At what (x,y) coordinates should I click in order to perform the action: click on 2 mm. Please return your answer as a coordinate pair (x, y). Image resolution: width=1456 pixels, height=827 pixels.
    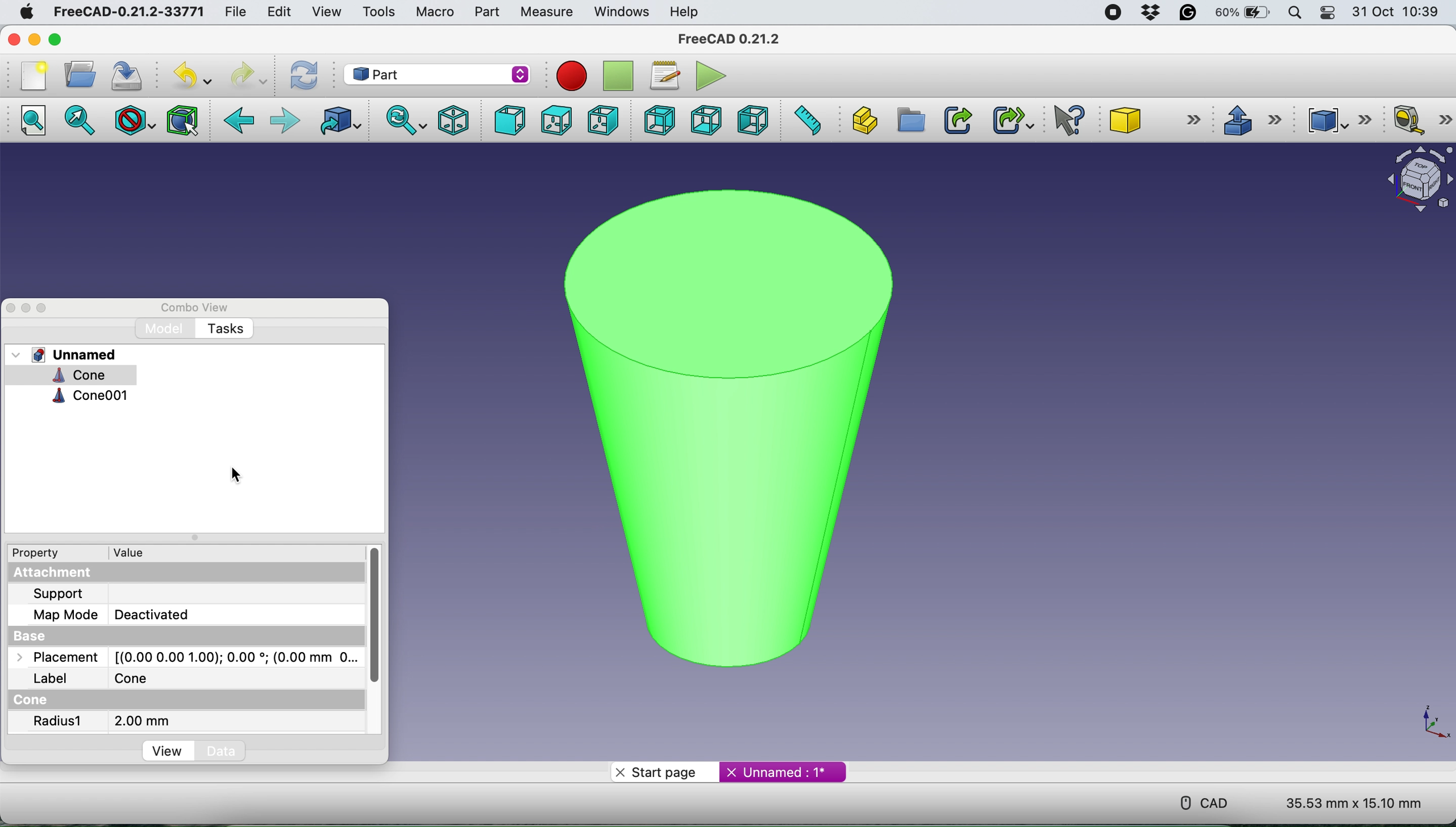
    Looking at the image, I should click on (142, 721).